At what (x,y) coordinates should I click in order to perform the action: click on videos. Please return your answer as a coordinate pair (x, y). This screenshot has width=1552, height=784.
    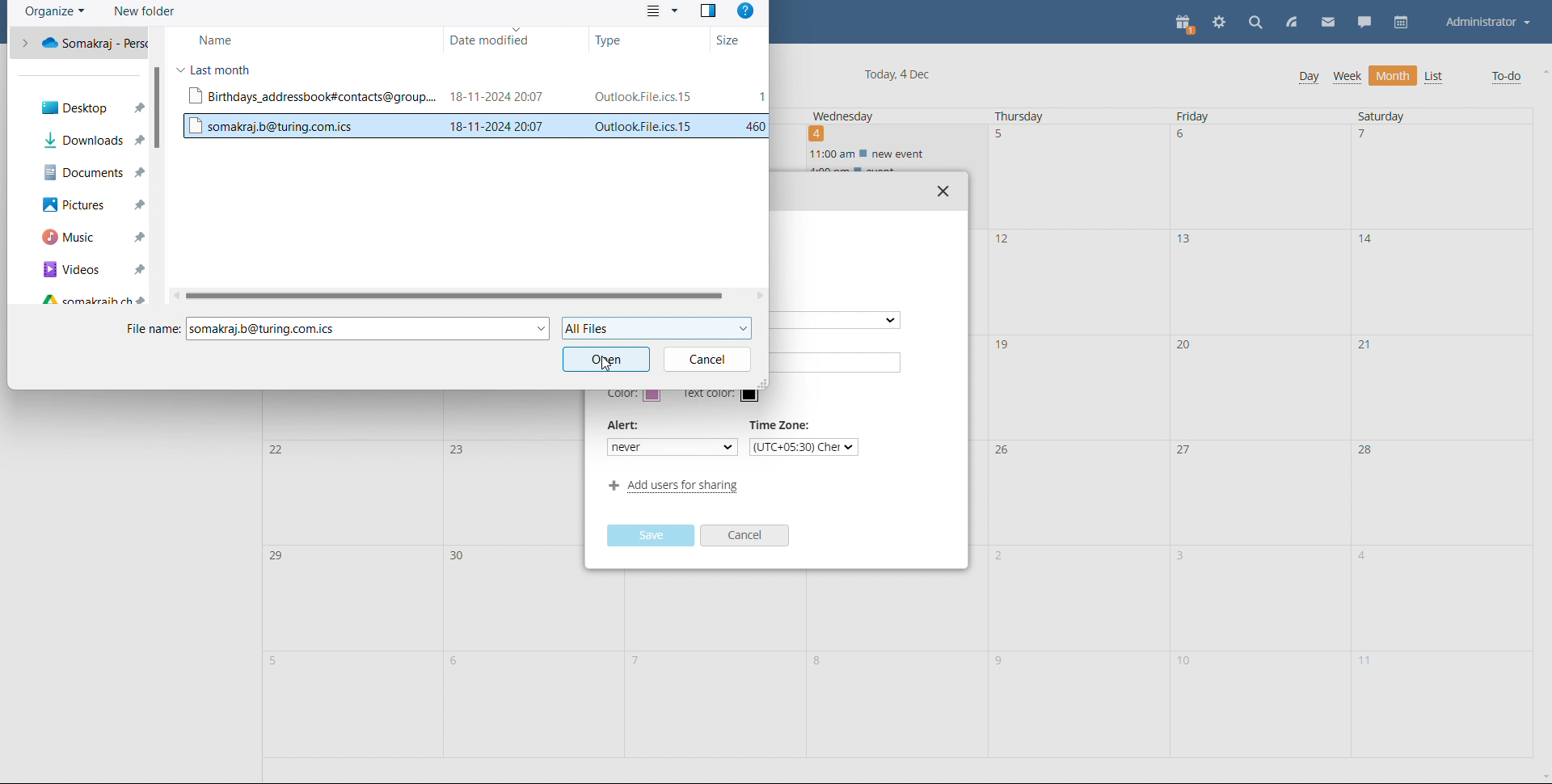
    Looking at the image, I should click on (88, 268).